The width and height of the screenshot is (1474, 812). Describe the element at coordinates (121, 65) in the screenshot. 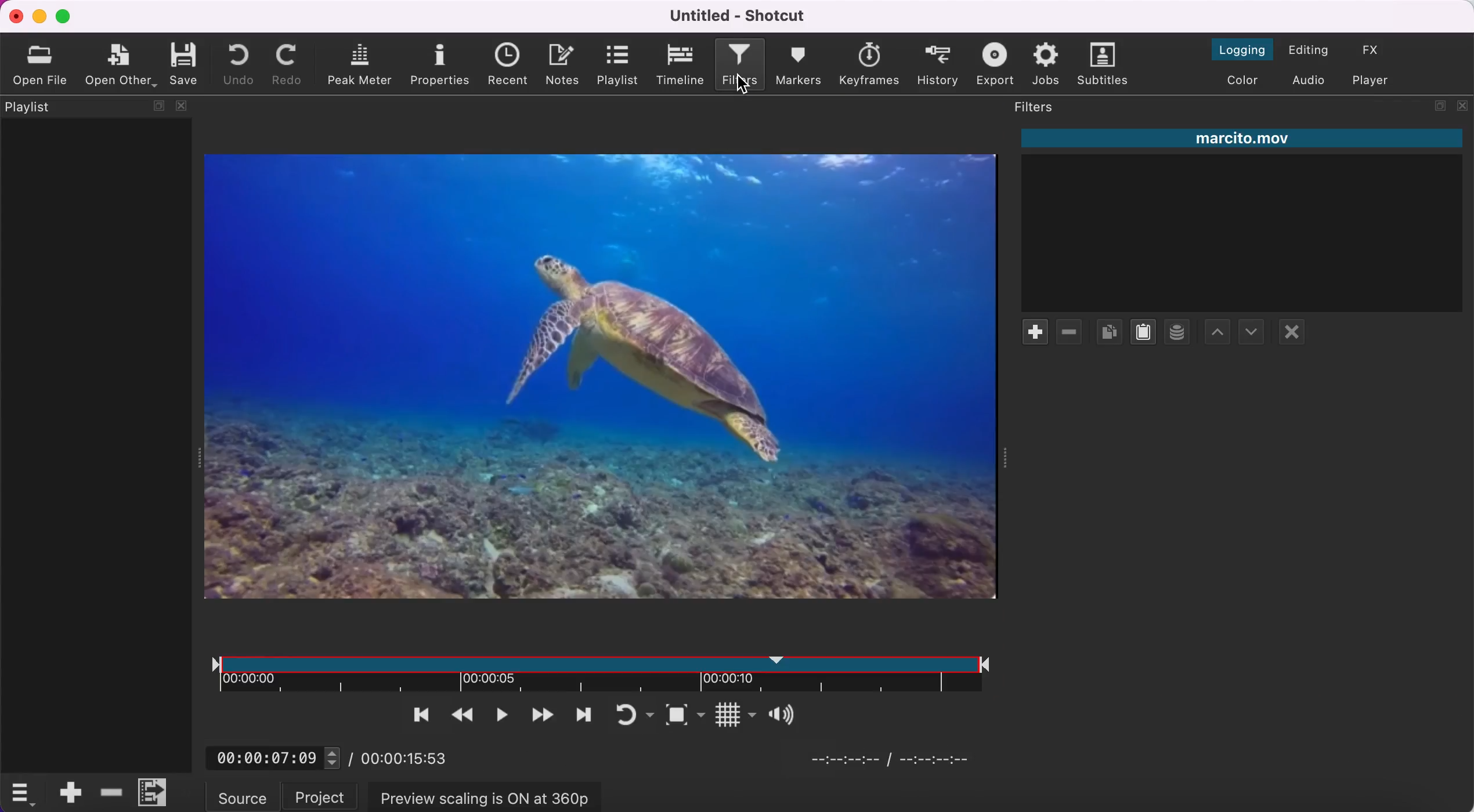

I see `open other` at that location.